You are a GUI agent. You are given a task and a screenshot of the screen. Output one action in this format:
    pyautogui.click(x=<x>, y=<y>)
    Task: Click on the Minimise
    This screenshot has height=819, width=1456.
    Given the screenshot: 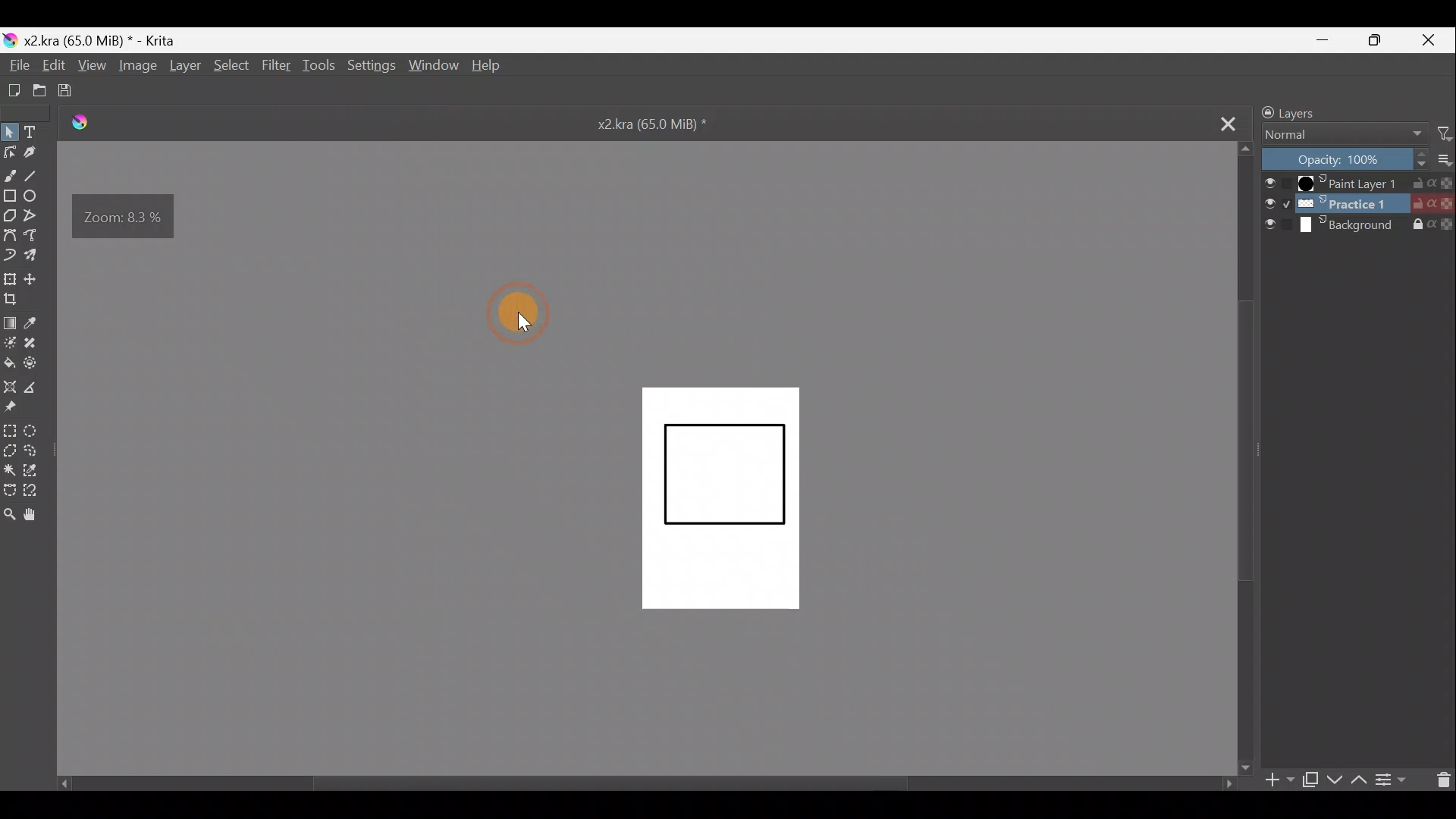 What is the action you would take?
    pyautogui.click(x=1326, y=39)
    